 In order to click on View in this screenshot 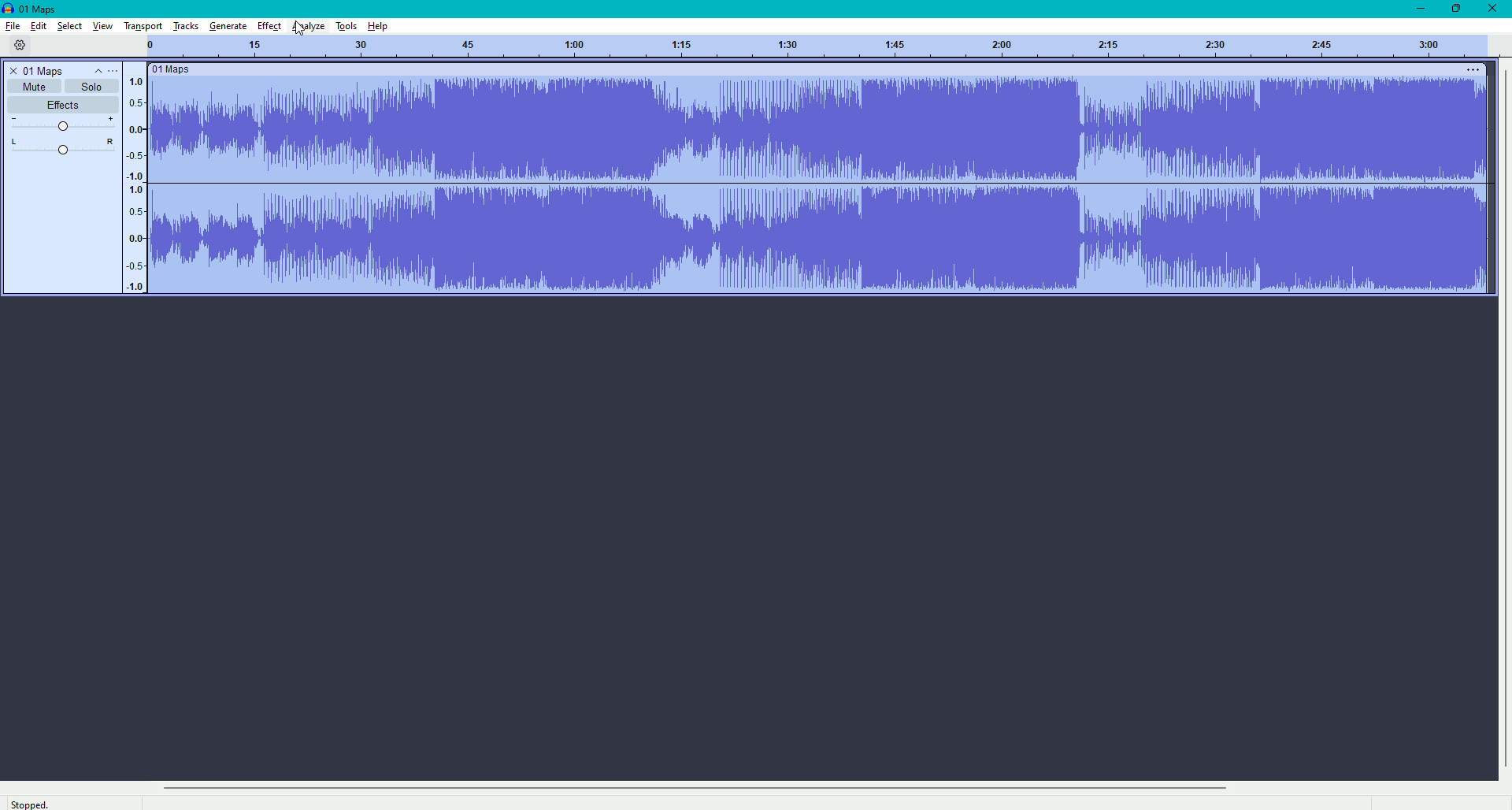, I will do `click(100, 26)`.